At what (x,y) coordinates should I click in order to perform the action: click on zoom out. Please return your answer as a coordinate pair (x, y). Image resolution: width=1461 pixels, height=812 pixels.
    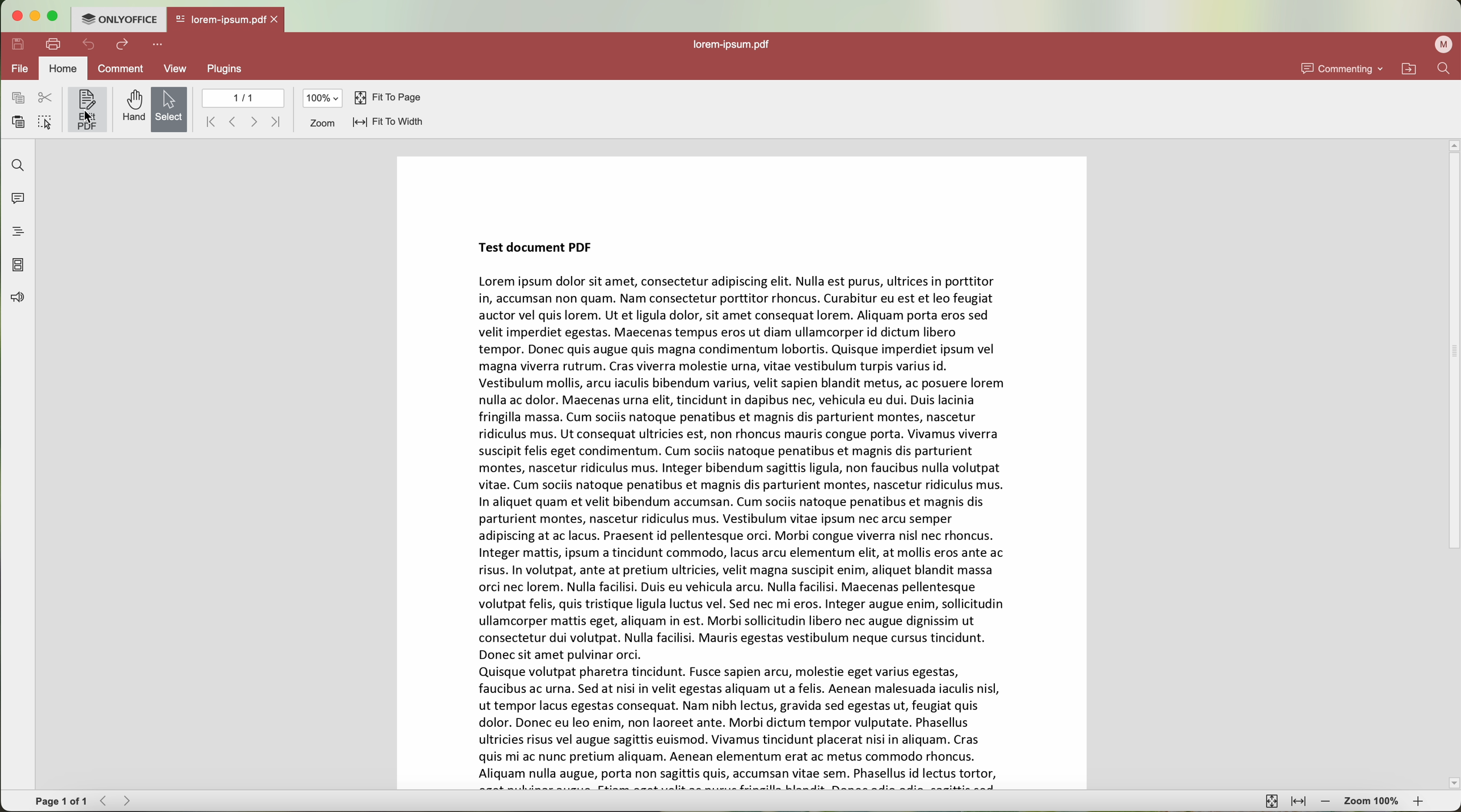
    Looking at the image, I should click on (1328, 803).